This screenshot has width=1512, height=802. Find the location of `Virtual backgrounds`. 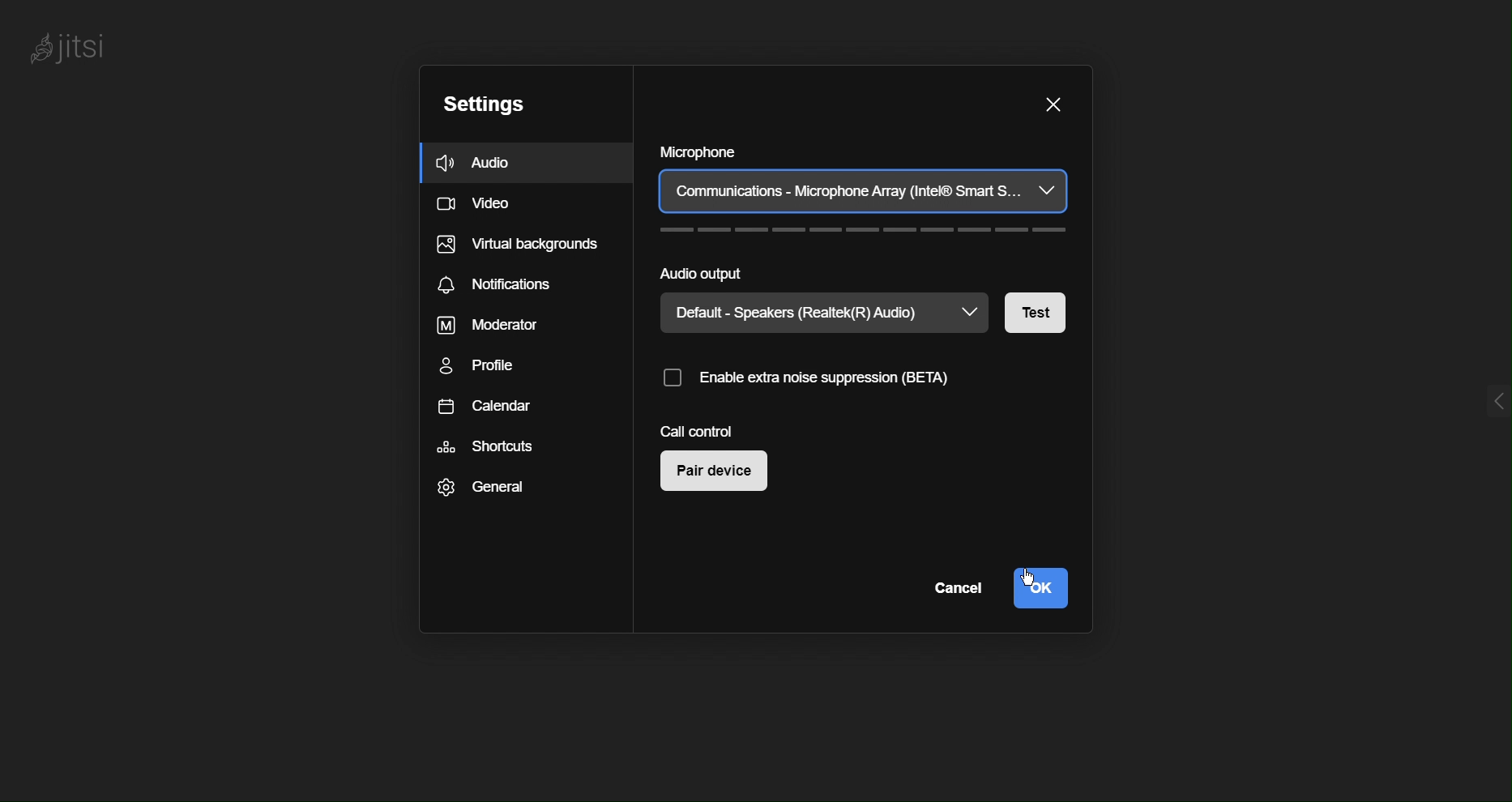

Virtual backgrounds is located at coordinates (519, 247).